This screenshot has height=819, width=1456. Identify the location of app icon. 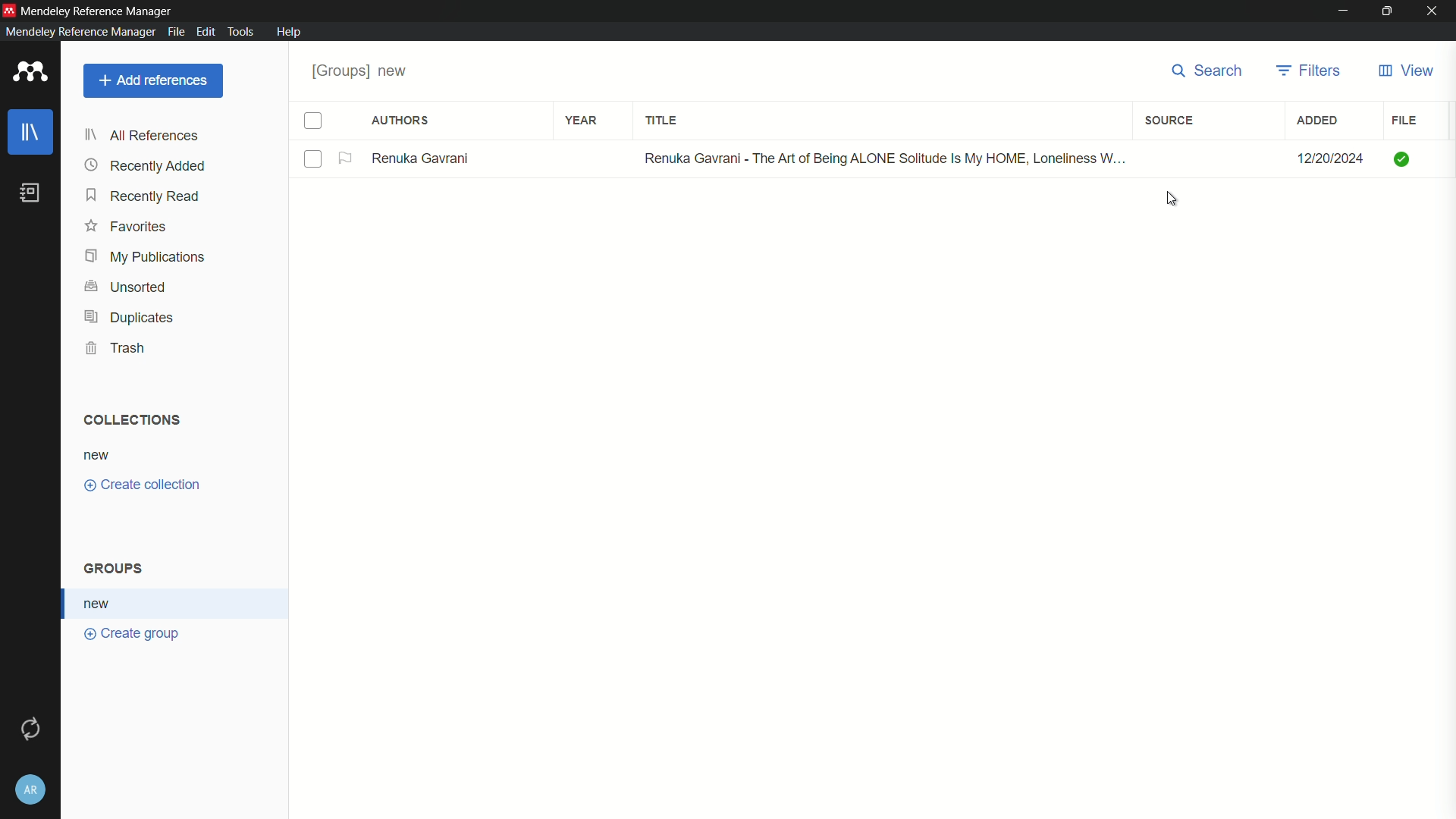
(9, 9).